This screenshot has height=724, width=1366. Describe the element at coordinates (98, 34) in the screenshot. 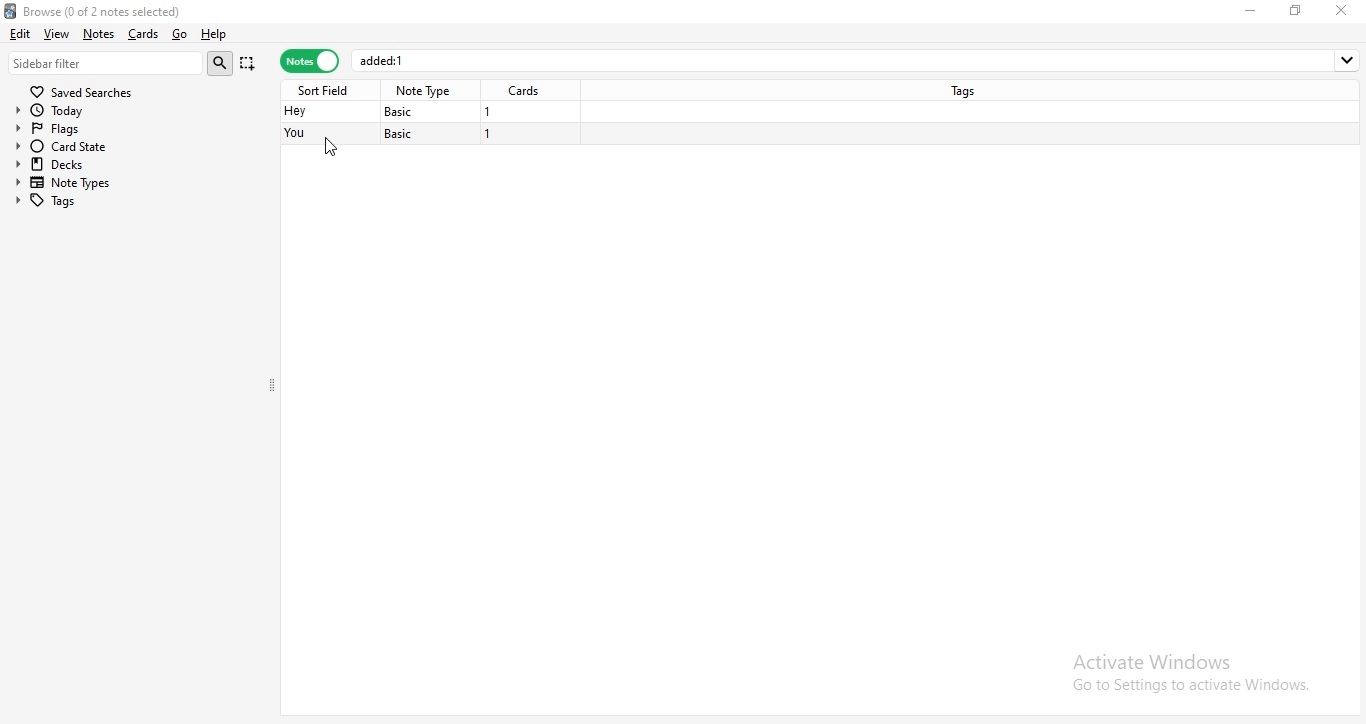

I see `notes` at that location.